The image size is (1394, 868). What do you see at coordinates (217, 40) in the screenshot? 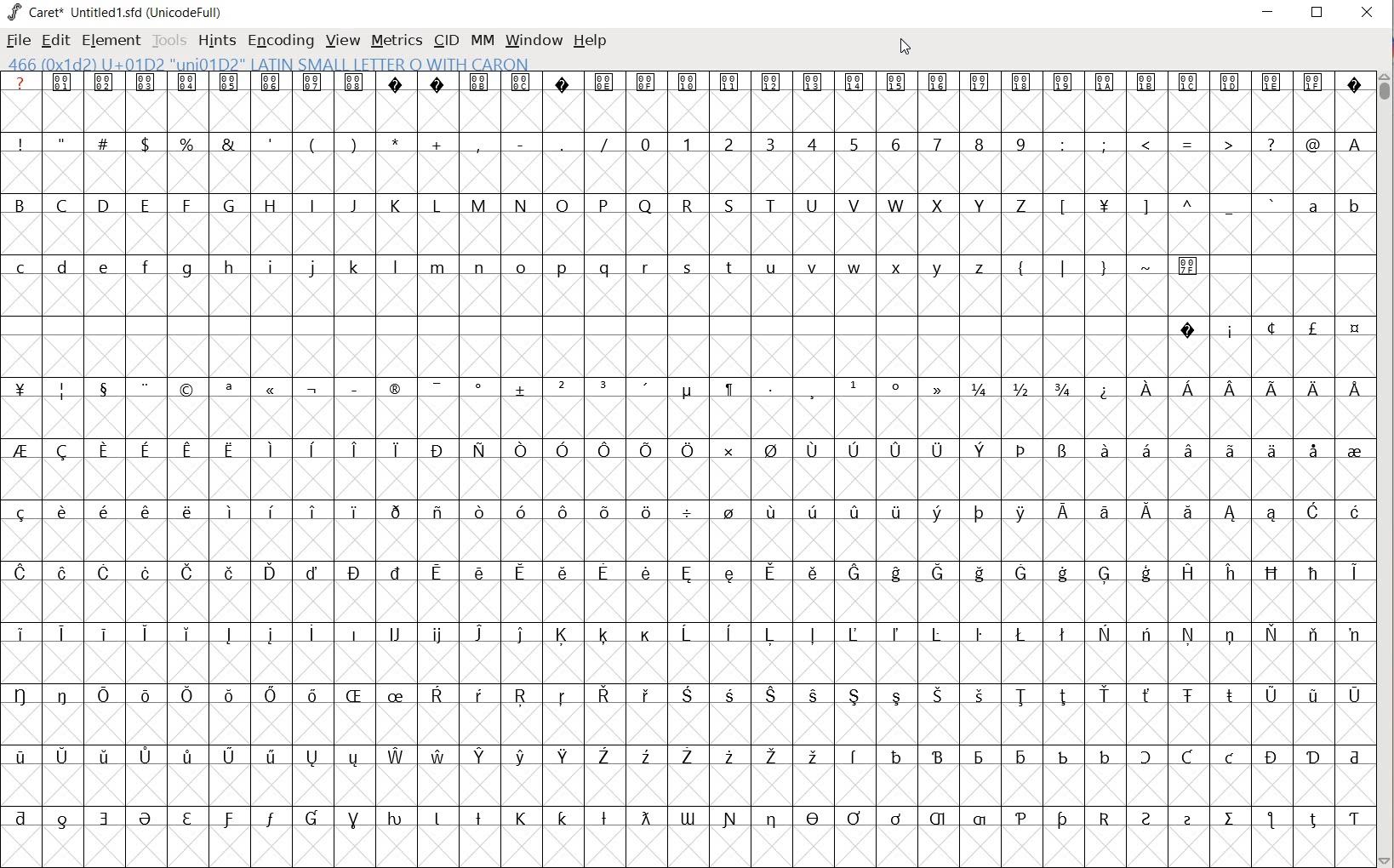
I see `HINTS` at bounding box center [217, 40].